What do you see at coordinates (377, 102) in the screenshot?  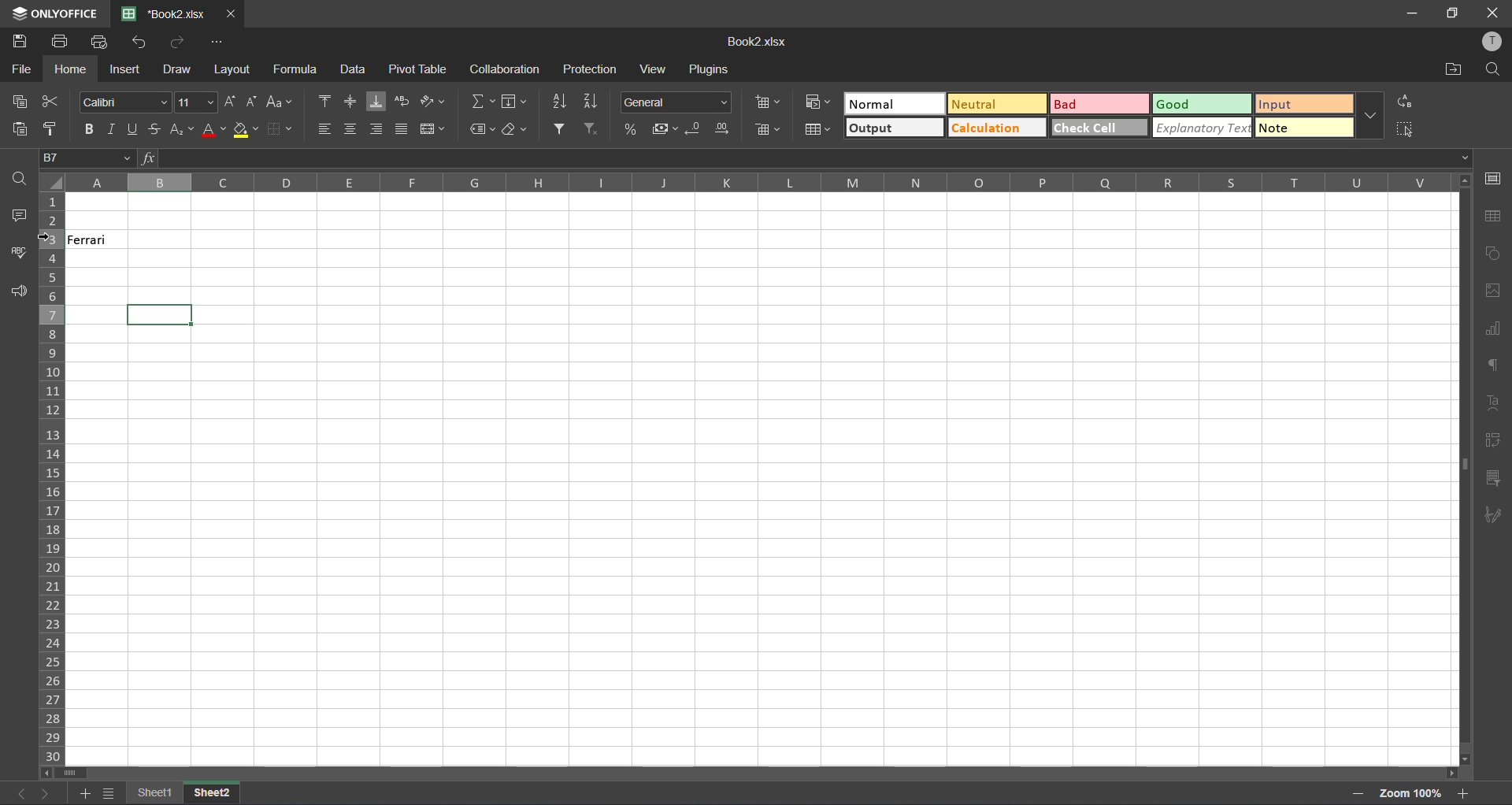 I see `align bottom` at bounding box center [377, 102].